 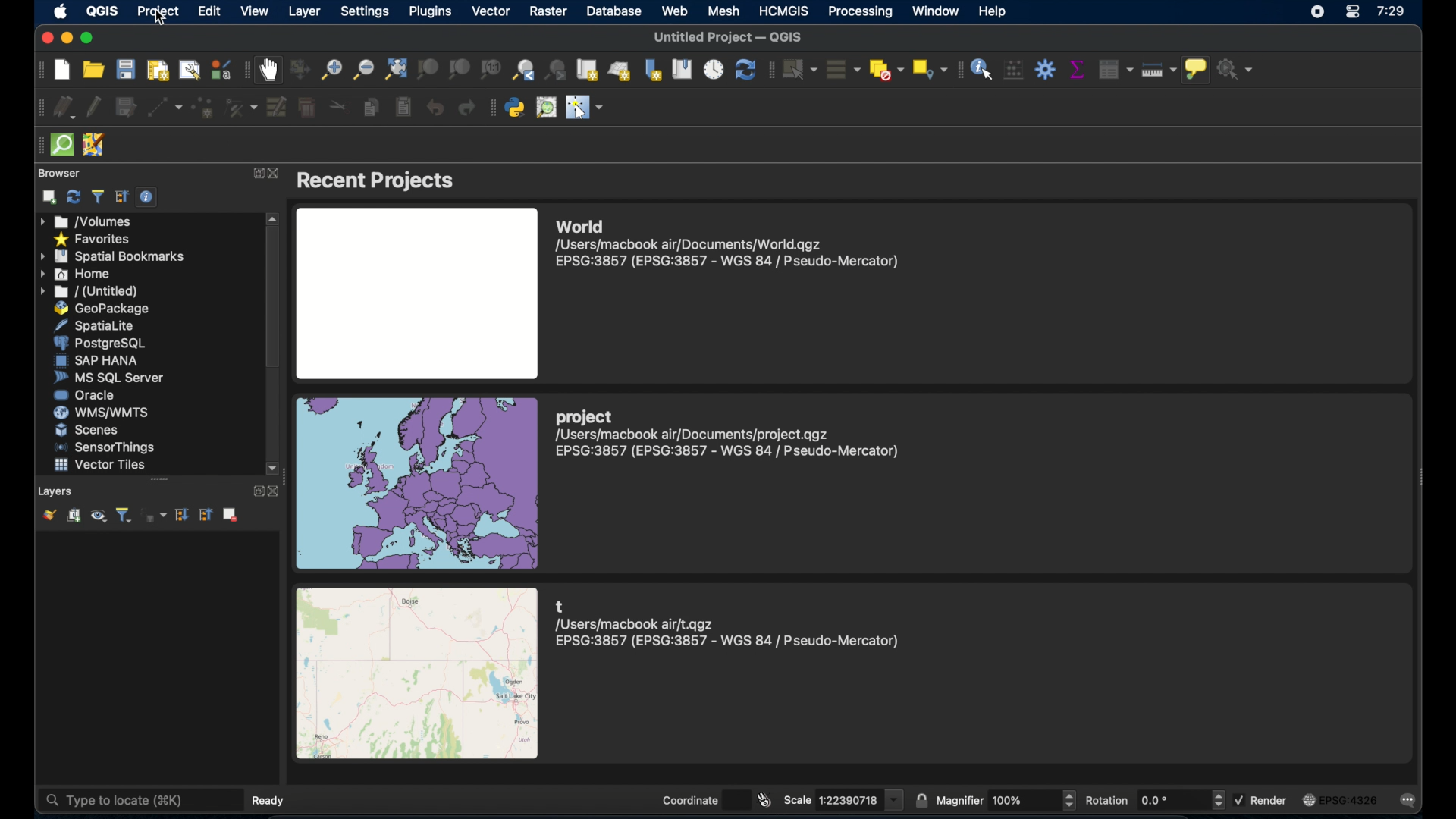 I want to click on close, so click(x=42, y=38).